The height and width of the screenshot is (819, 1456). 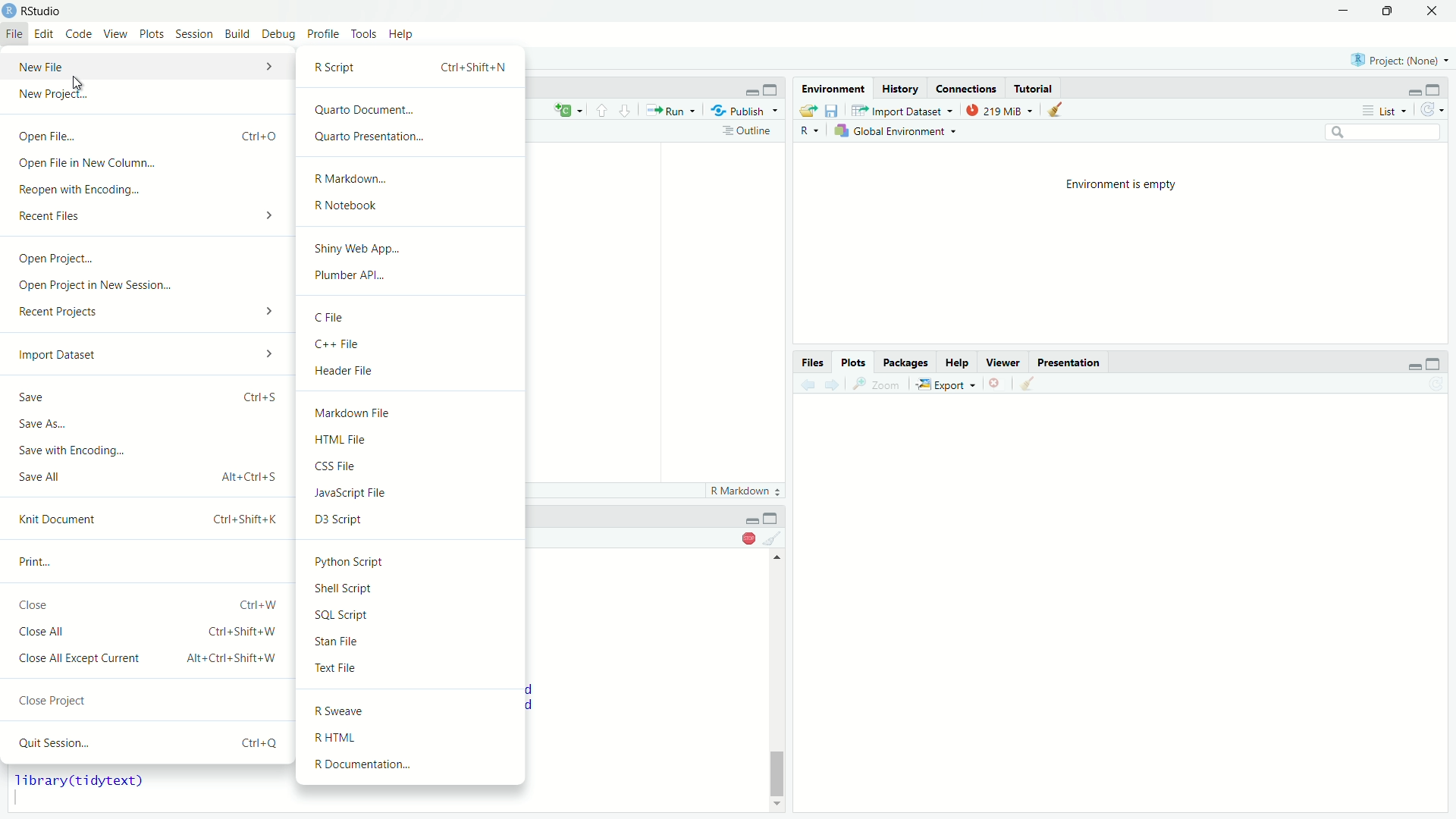 I want to click on go to previous section, so click(x=601, y=111).